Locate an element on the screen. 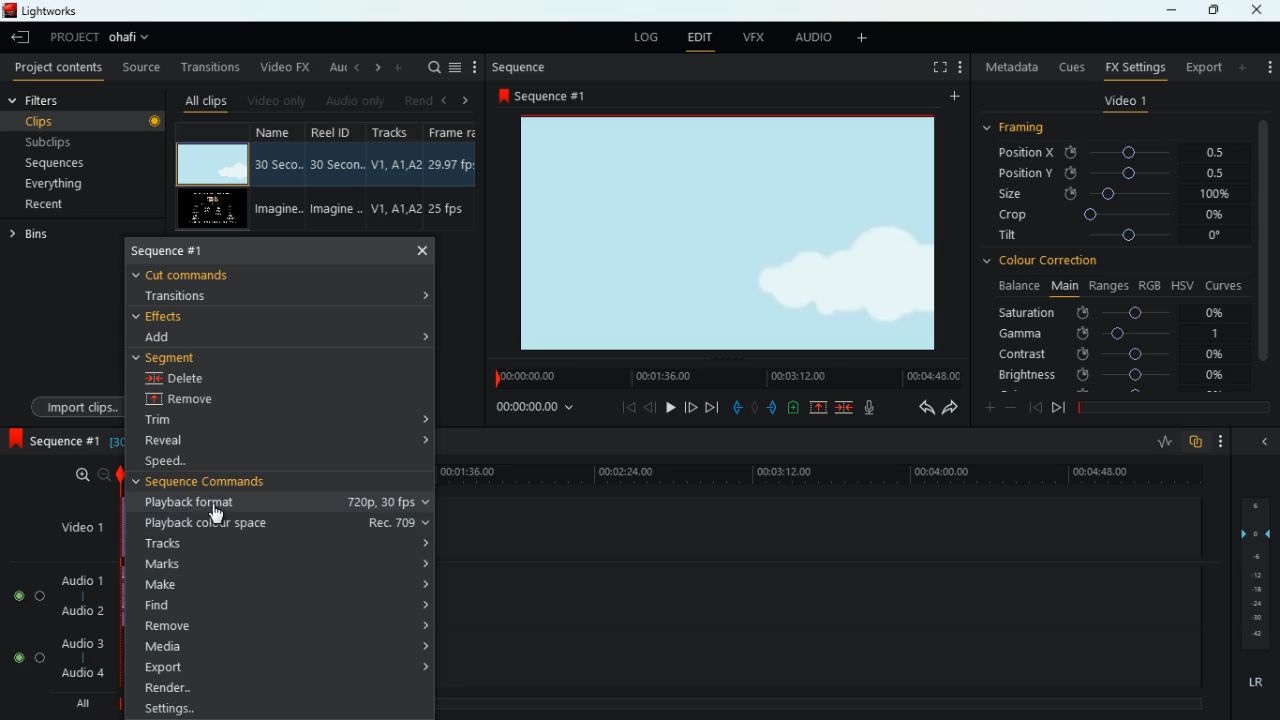  reel id is located at coordinates (334, 179).